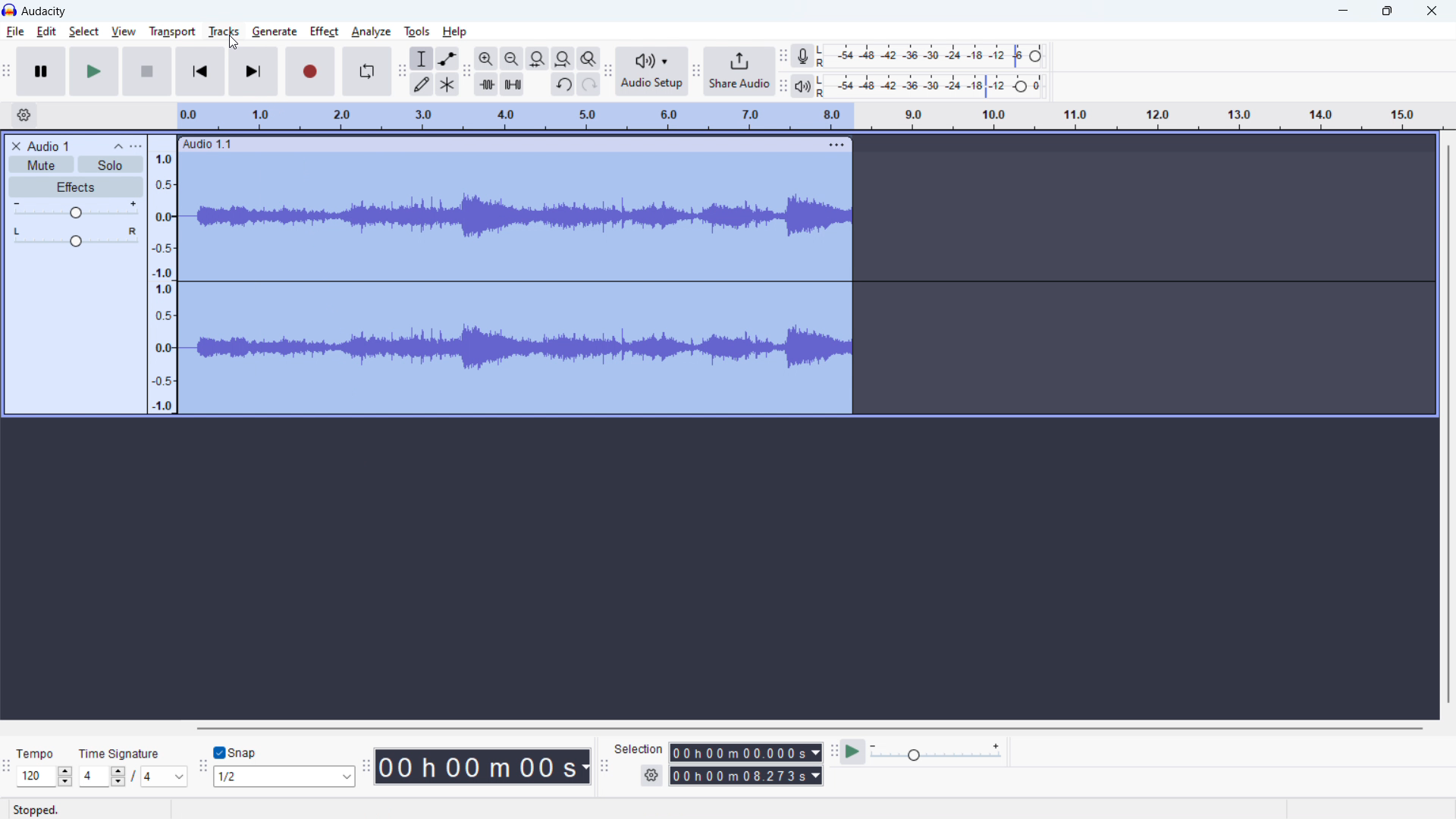 The image size is (1456, 819). Describe the element at coordinates (234, 44) in the screenshot. I see `cursor` at that location.